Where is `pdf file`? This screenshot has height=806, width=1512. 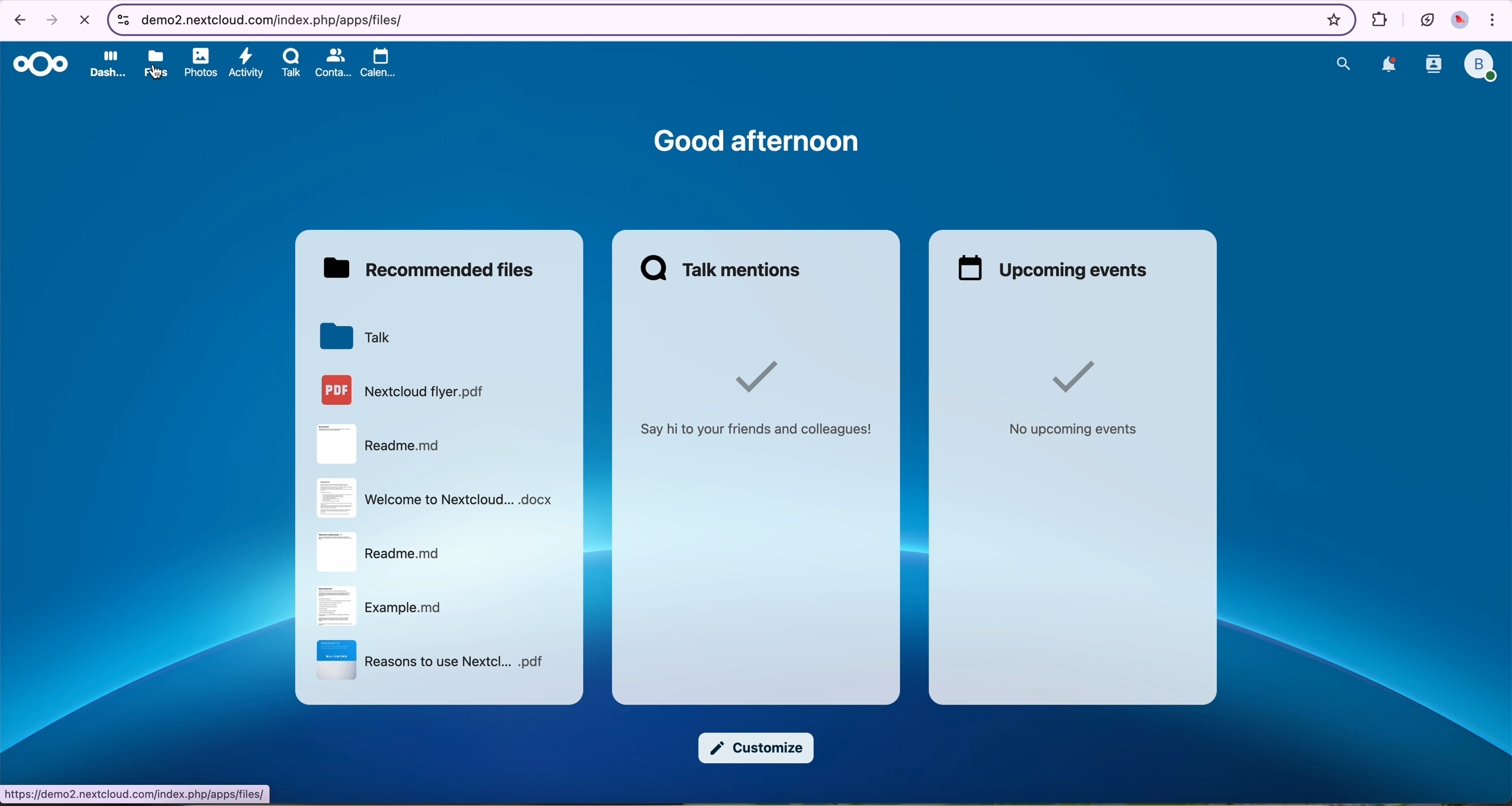
pdf file is located at coordinates (430, 661).